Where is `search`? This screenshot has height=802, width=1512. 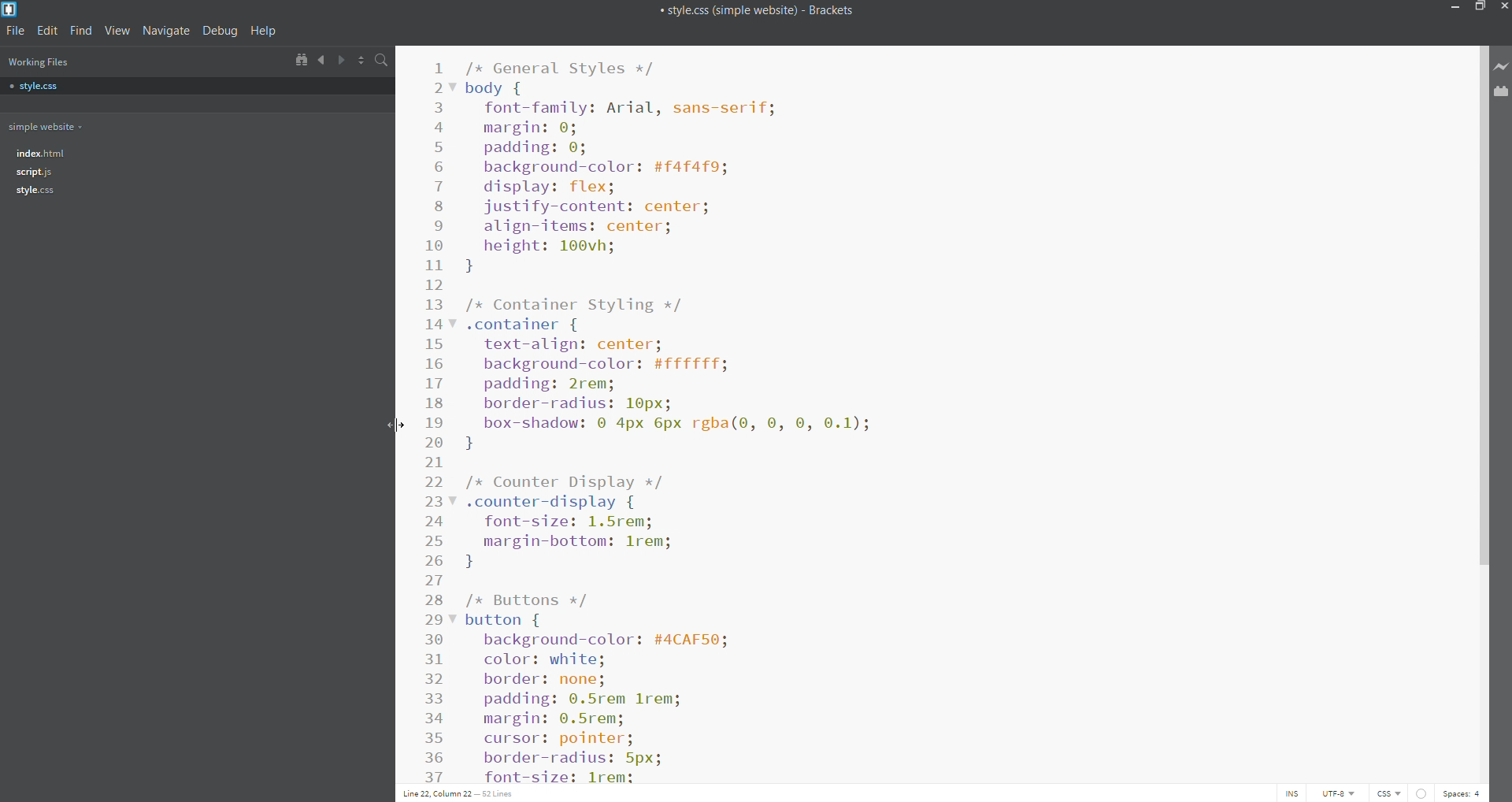 search is located at coordinates (384, 61).